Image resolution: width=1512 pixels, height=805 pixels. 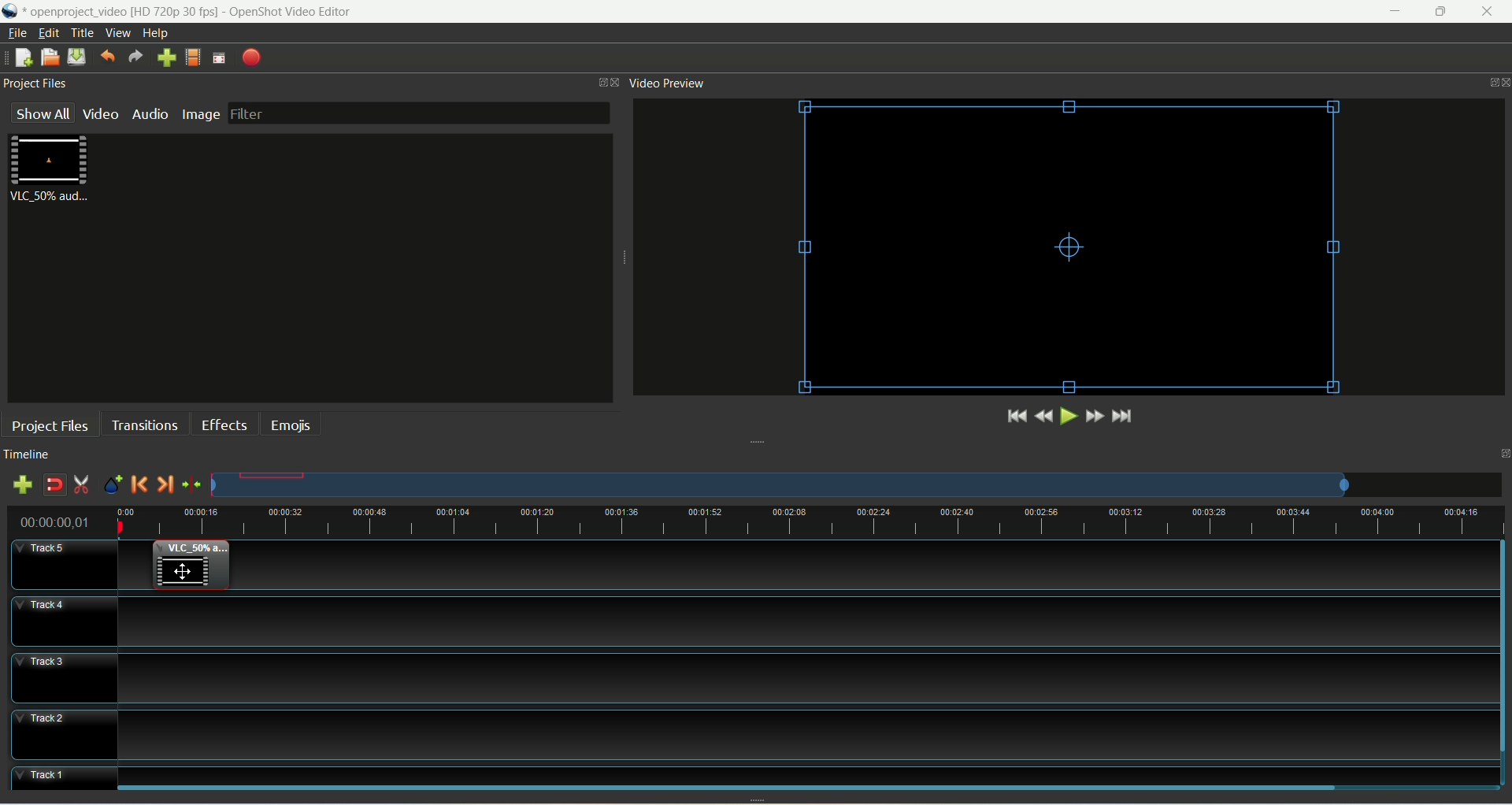 What do you see at coordinates (101, 116) in the screenshot?
I see `video` at bounding box center [101, 116].